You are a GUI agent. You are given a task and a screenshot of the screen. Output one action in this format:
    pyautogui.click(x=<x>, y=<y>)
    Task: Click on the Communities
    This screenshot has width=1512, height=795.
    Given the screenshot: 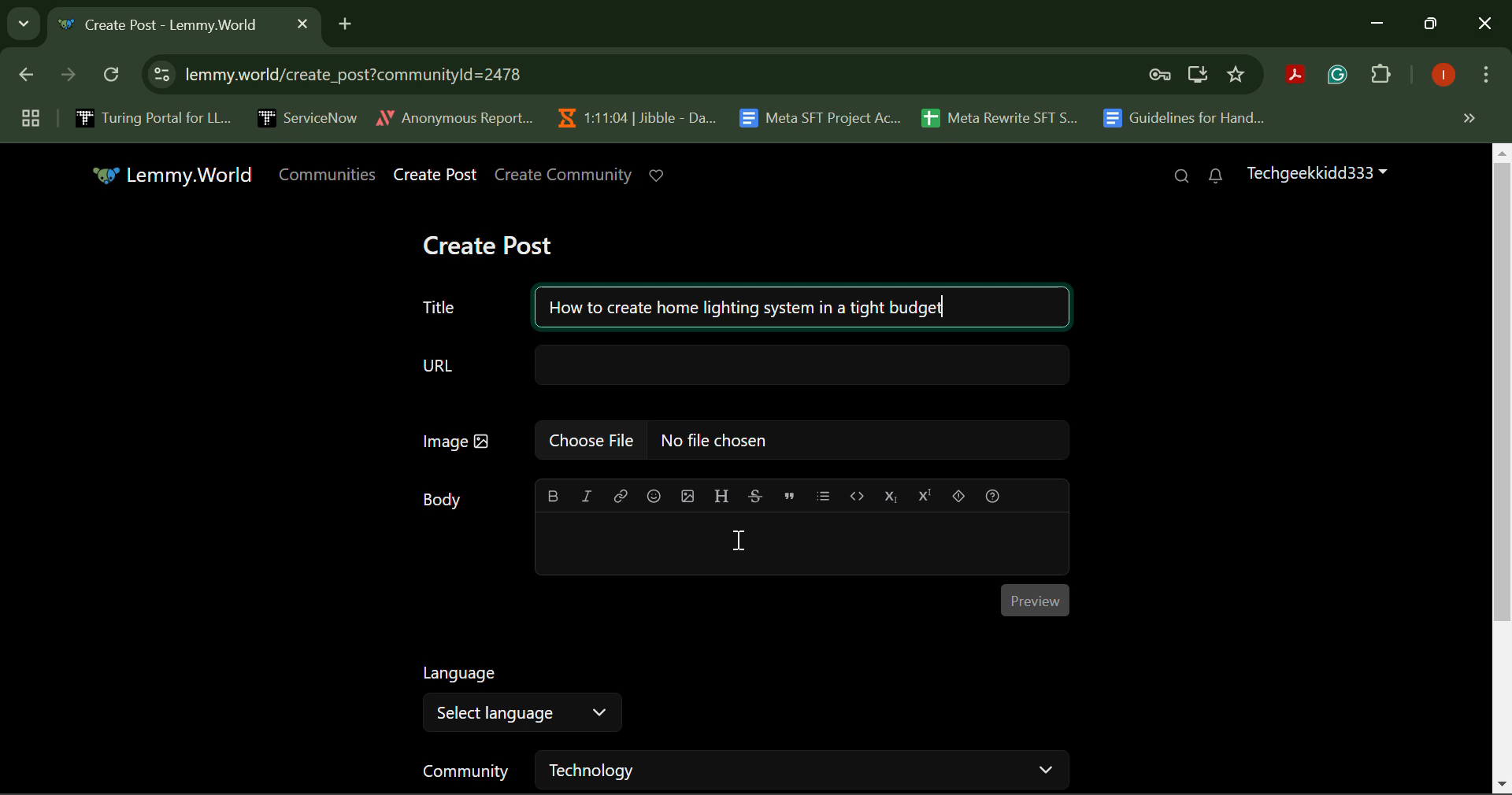 What is the action you would take?
    pyautogui.click(x=331, y=175)
    